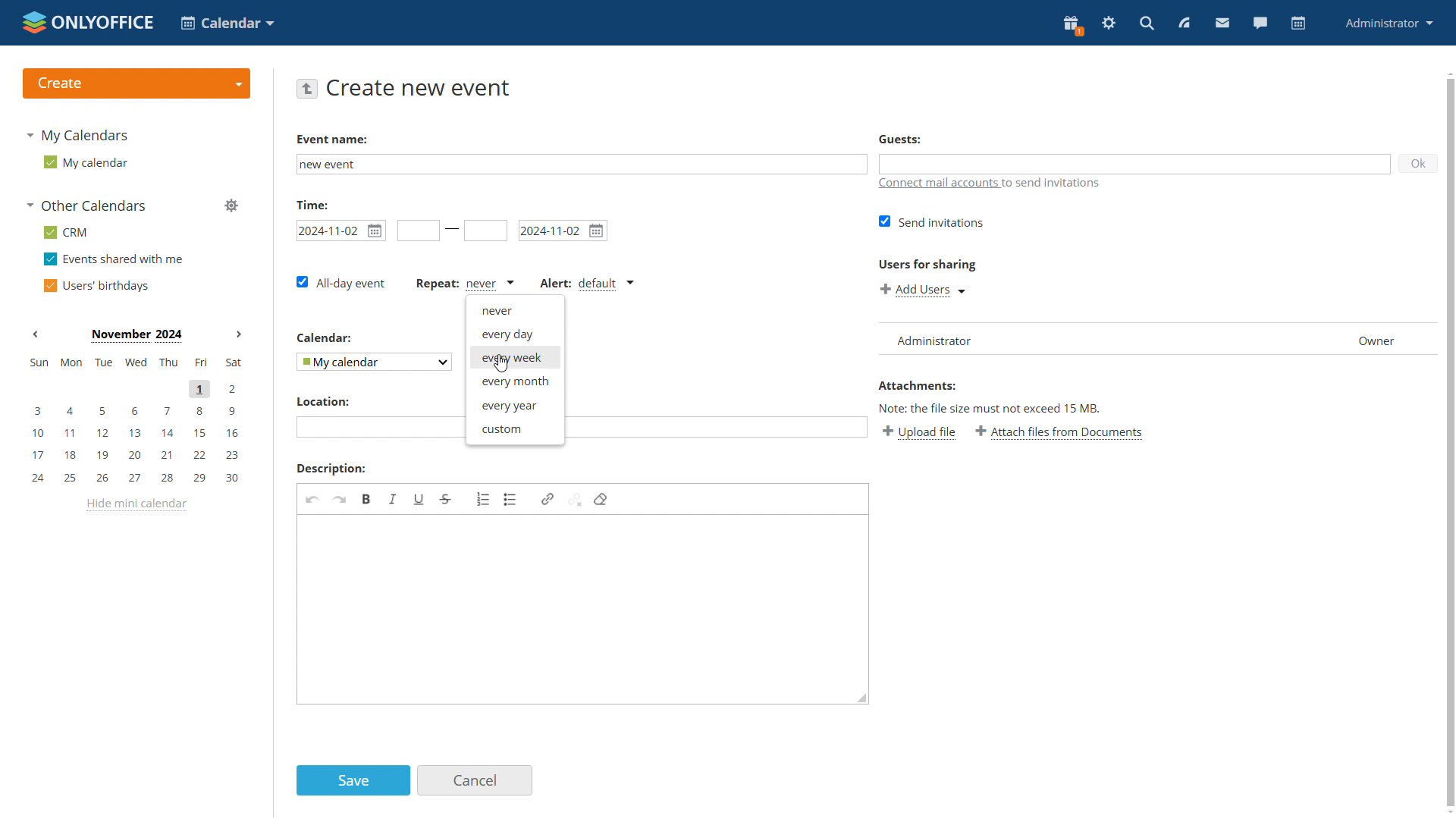  Describe the element at coordinates (446, 499) in the screenshot. I see `strikethrough` at that location.